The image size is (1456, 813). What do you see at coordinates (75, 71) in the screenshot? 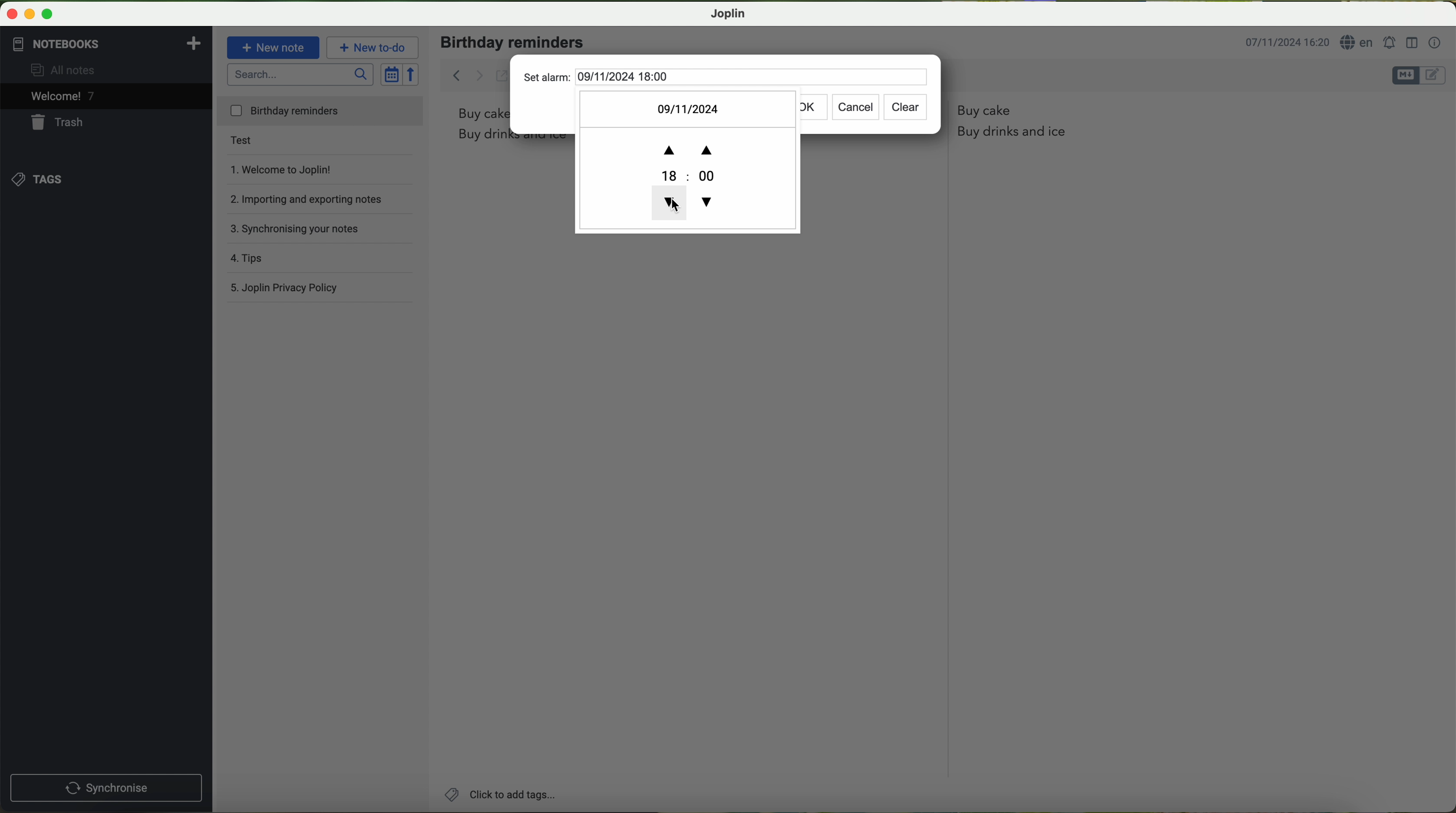
I see `all notes` at bounding box center [75, 71].